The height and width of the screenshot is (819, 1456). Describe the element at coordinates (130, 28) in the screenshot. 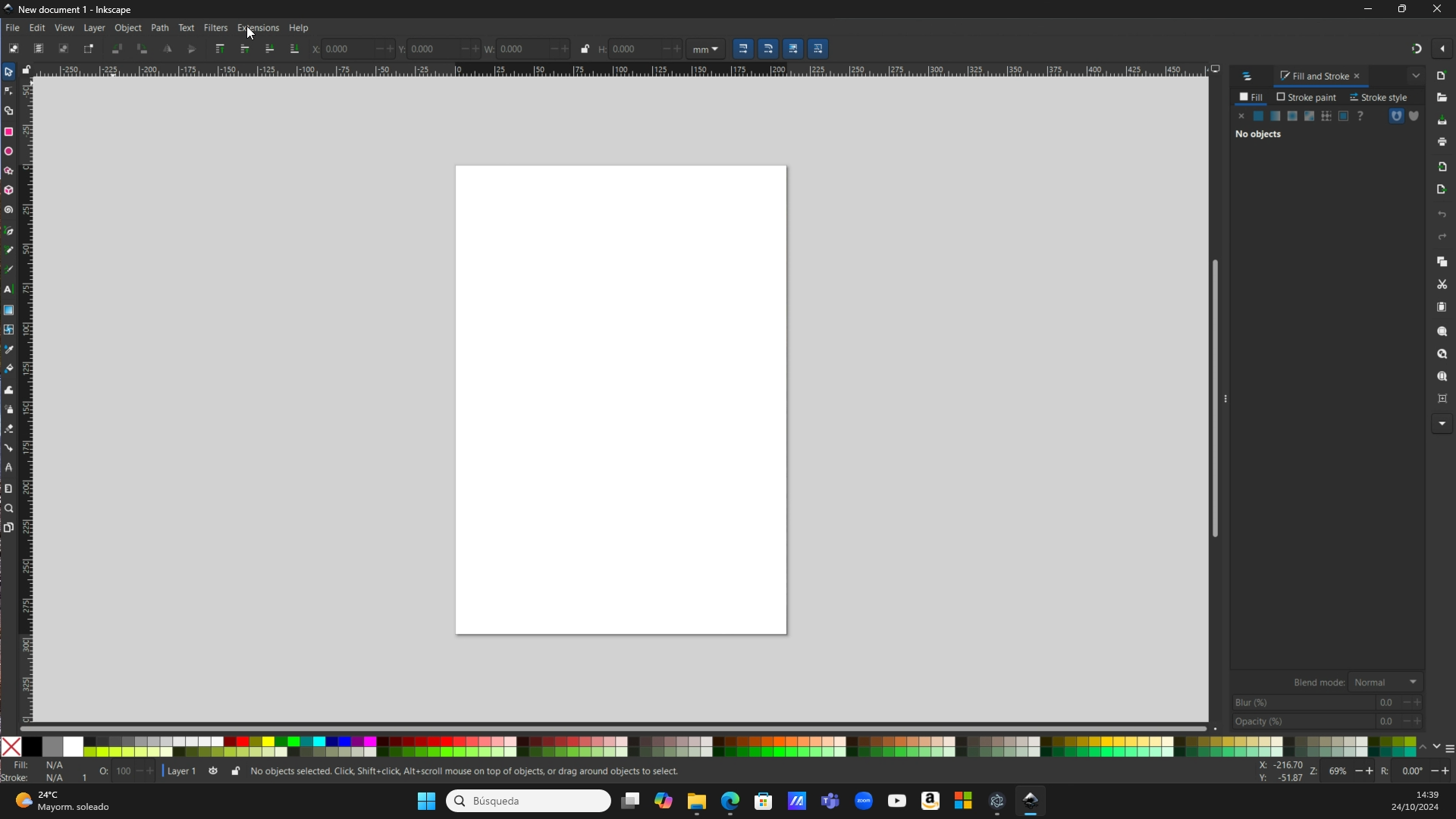

I see `Object` at that location.